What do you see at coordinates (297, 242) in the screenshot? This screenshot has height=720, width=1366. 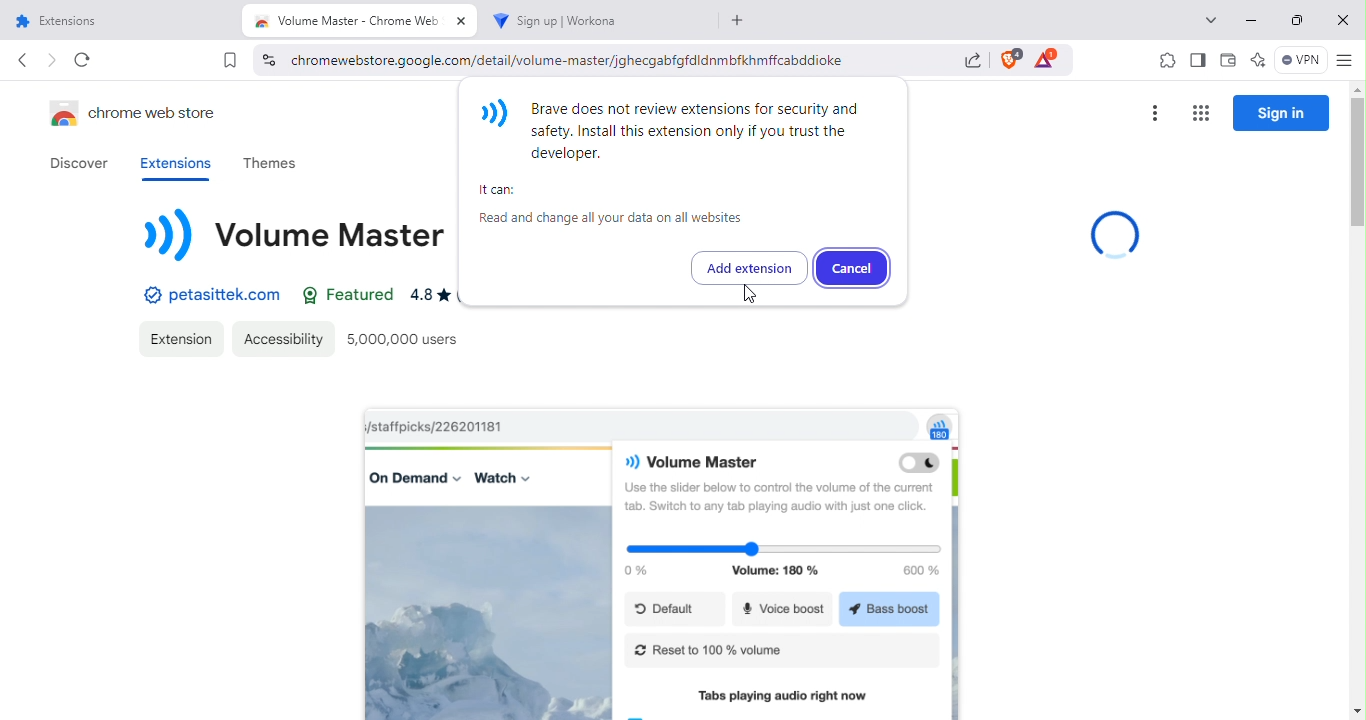 I see `logo` at bounding box center [297, 242].